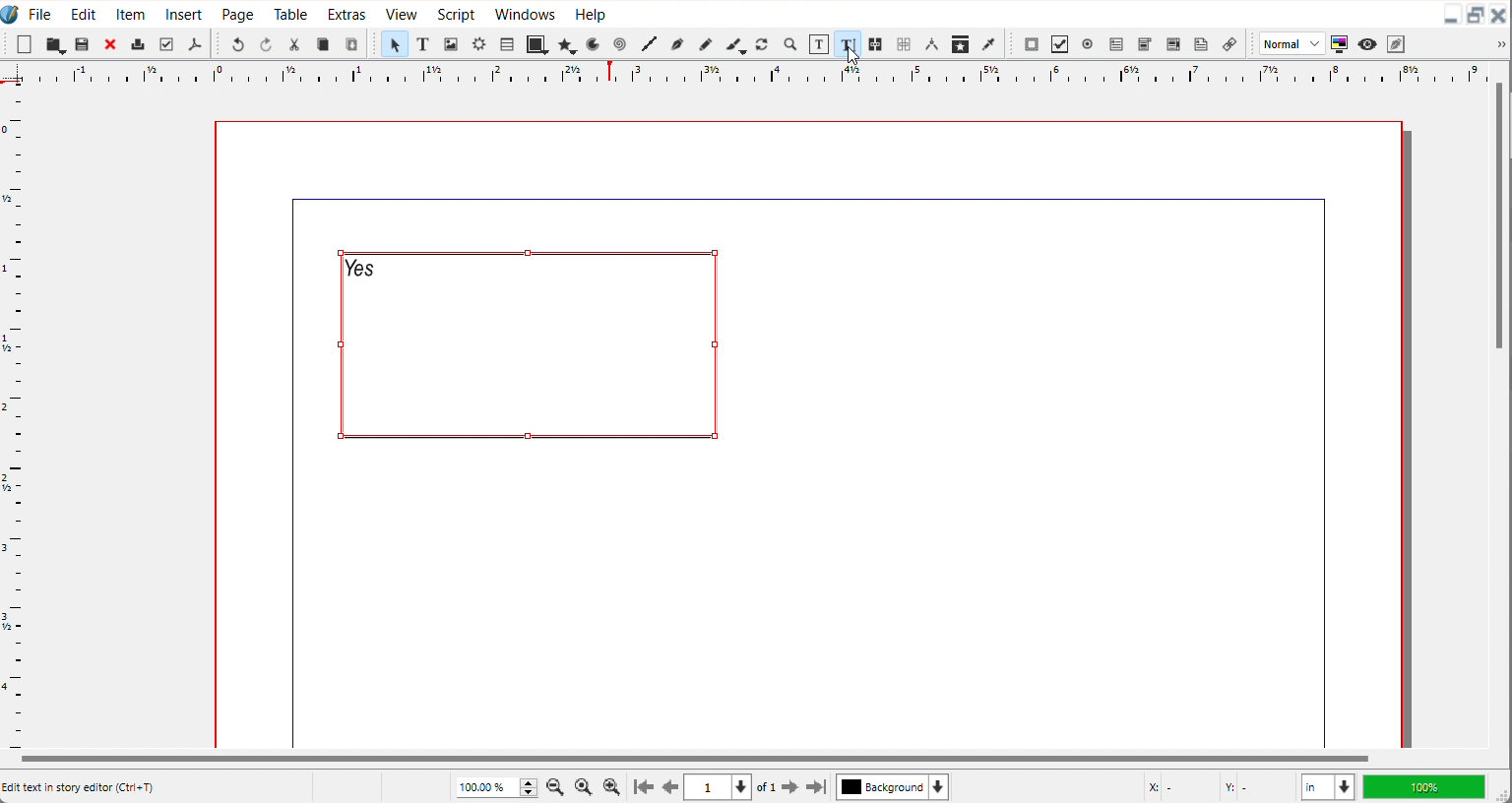  I want to click on Select item, so click(394, 43).